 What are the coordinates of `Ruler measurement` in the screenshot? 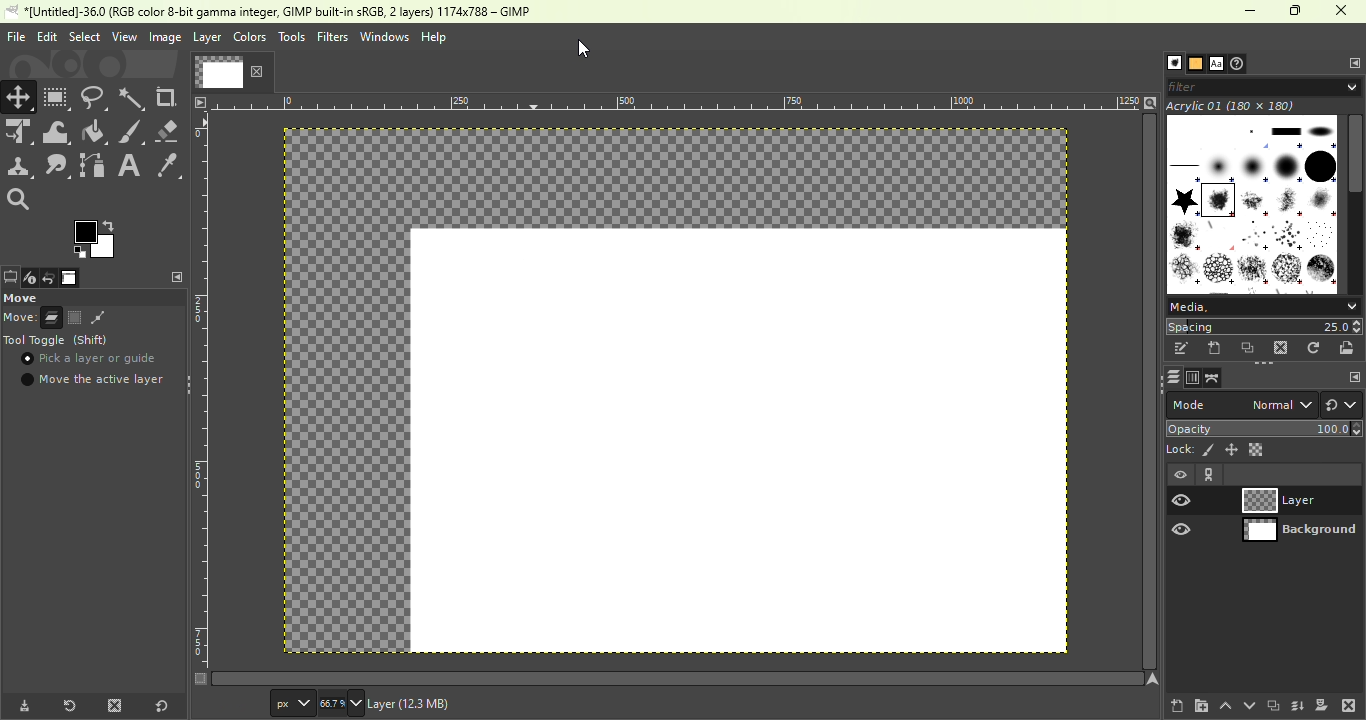 It's located at (677, 101).